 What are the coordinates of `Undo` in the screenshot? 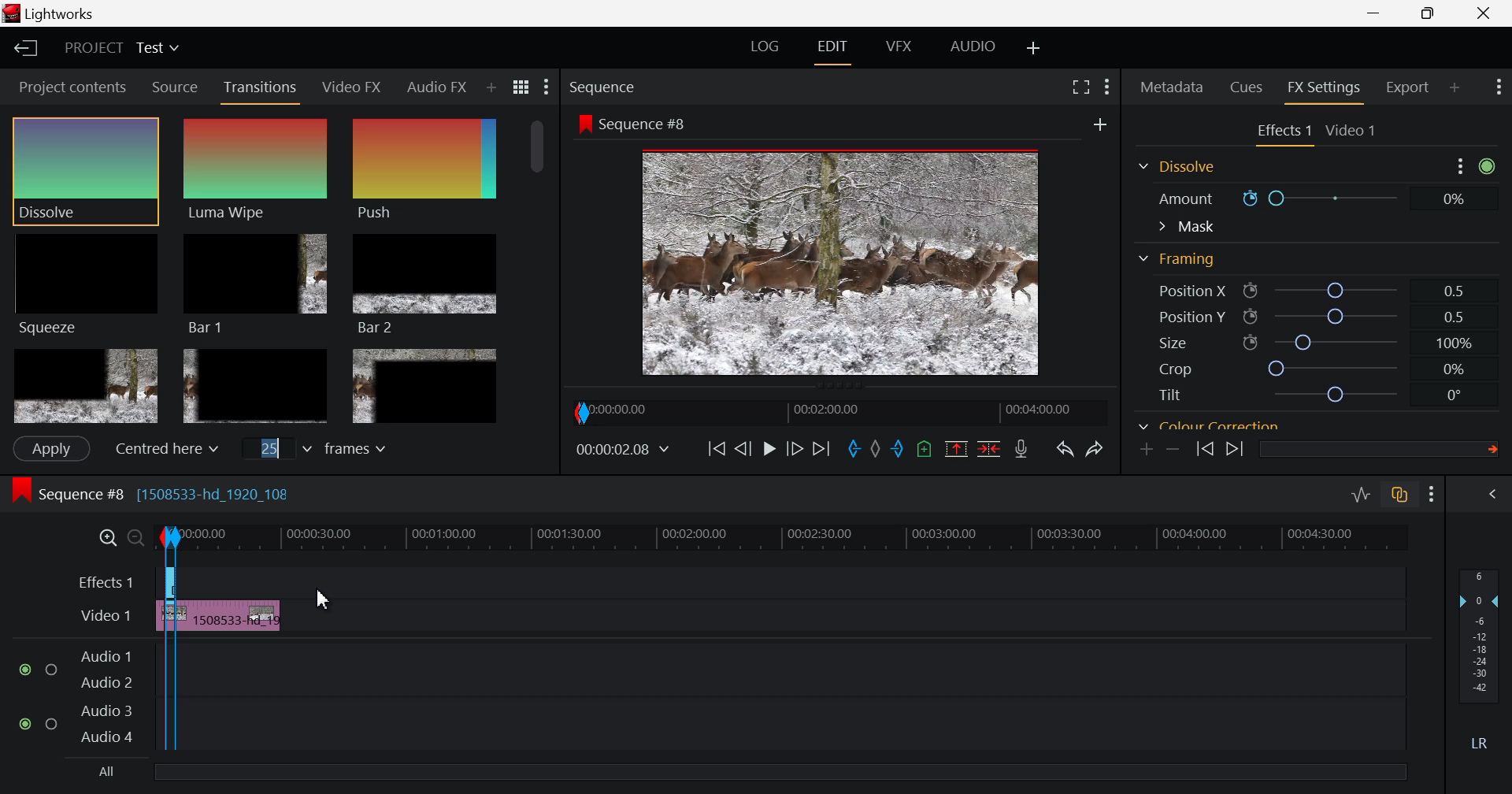 It's located at (1063, 447).